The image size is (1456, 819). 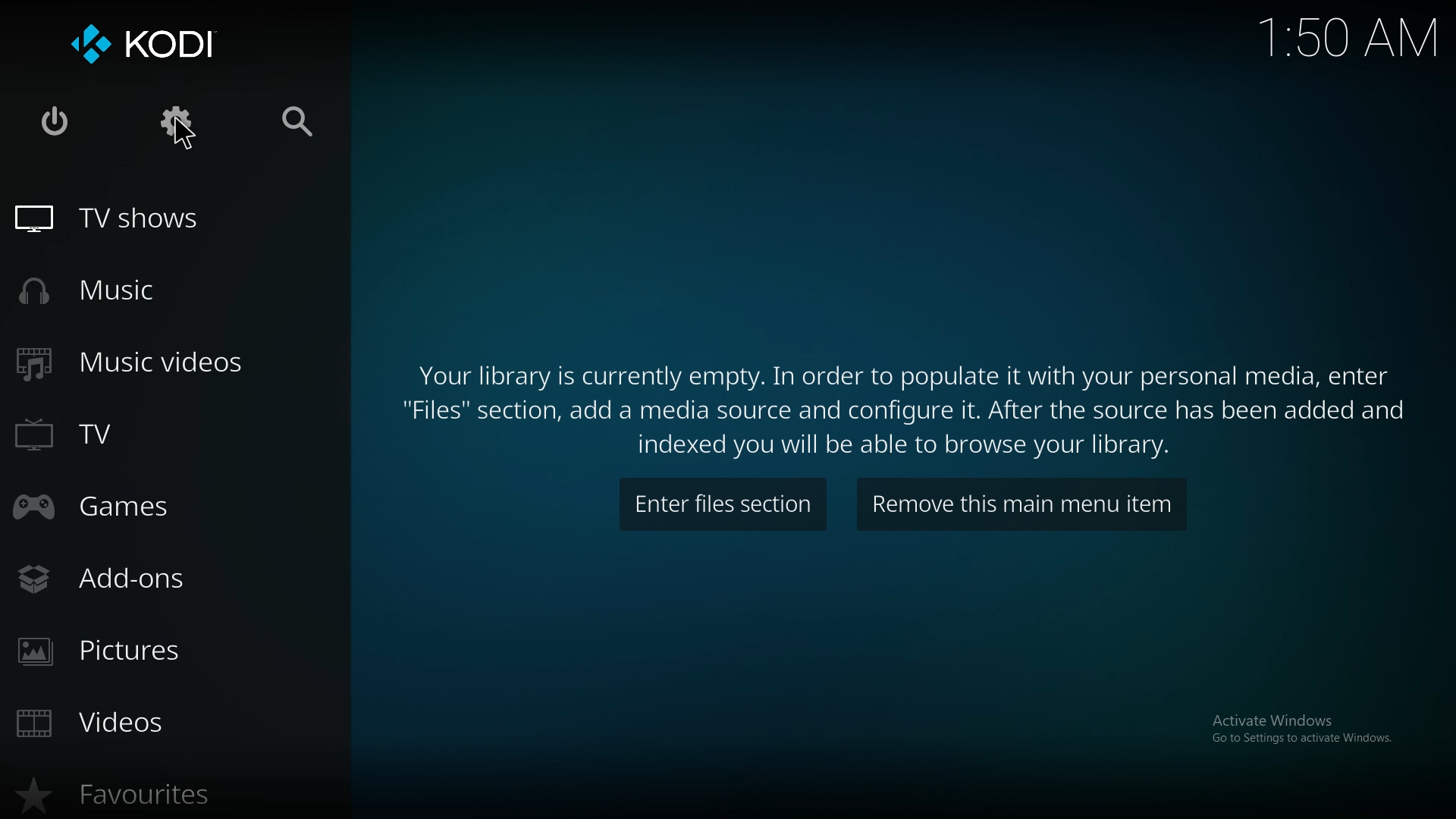 I want to click on tv, so click(x=105, y=431).